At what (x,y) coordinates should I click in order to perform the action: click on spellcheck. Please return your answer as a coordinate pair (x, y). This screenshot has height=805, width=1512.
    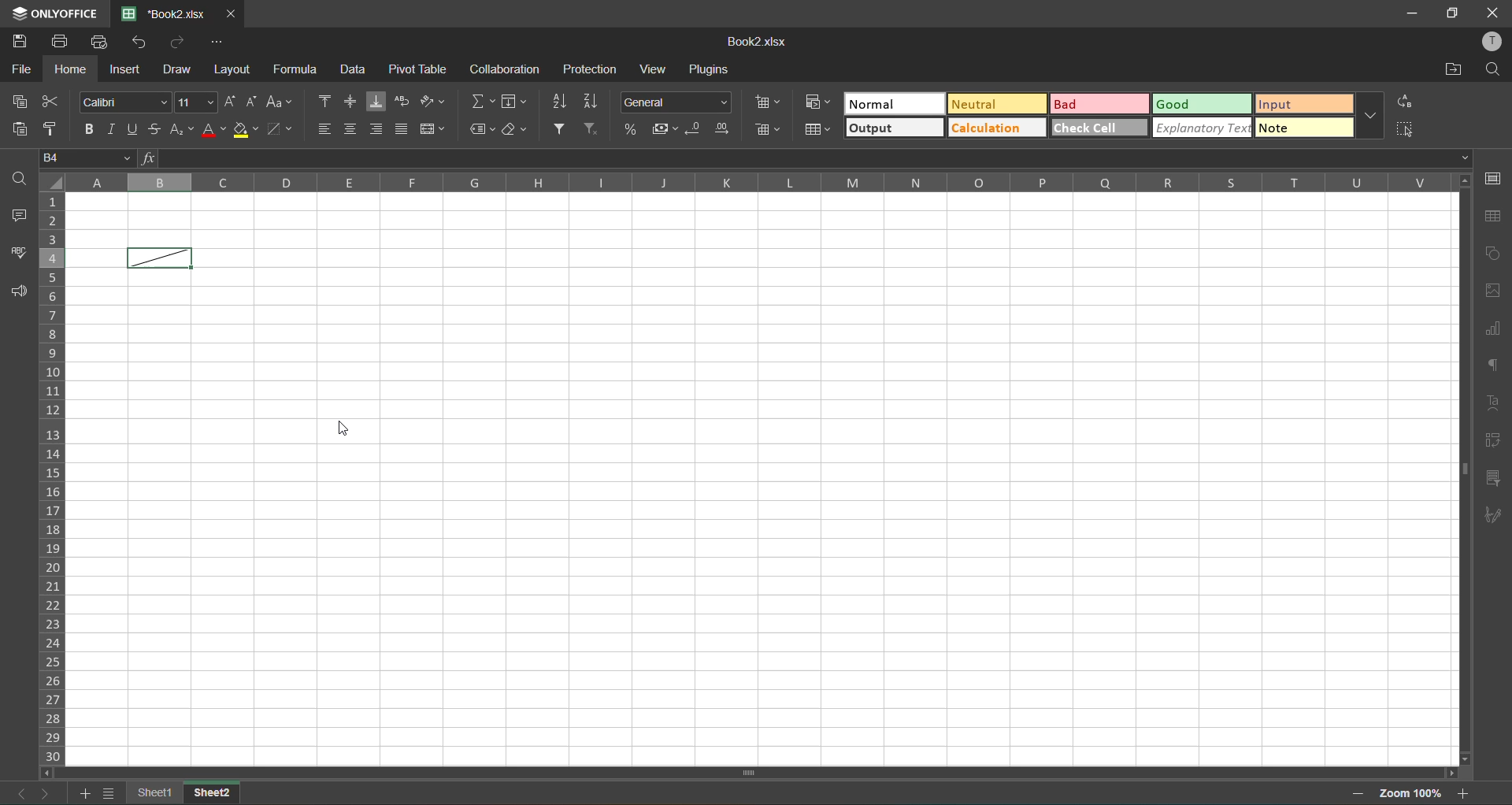
    Looking at the image, I should click on (16, 254).